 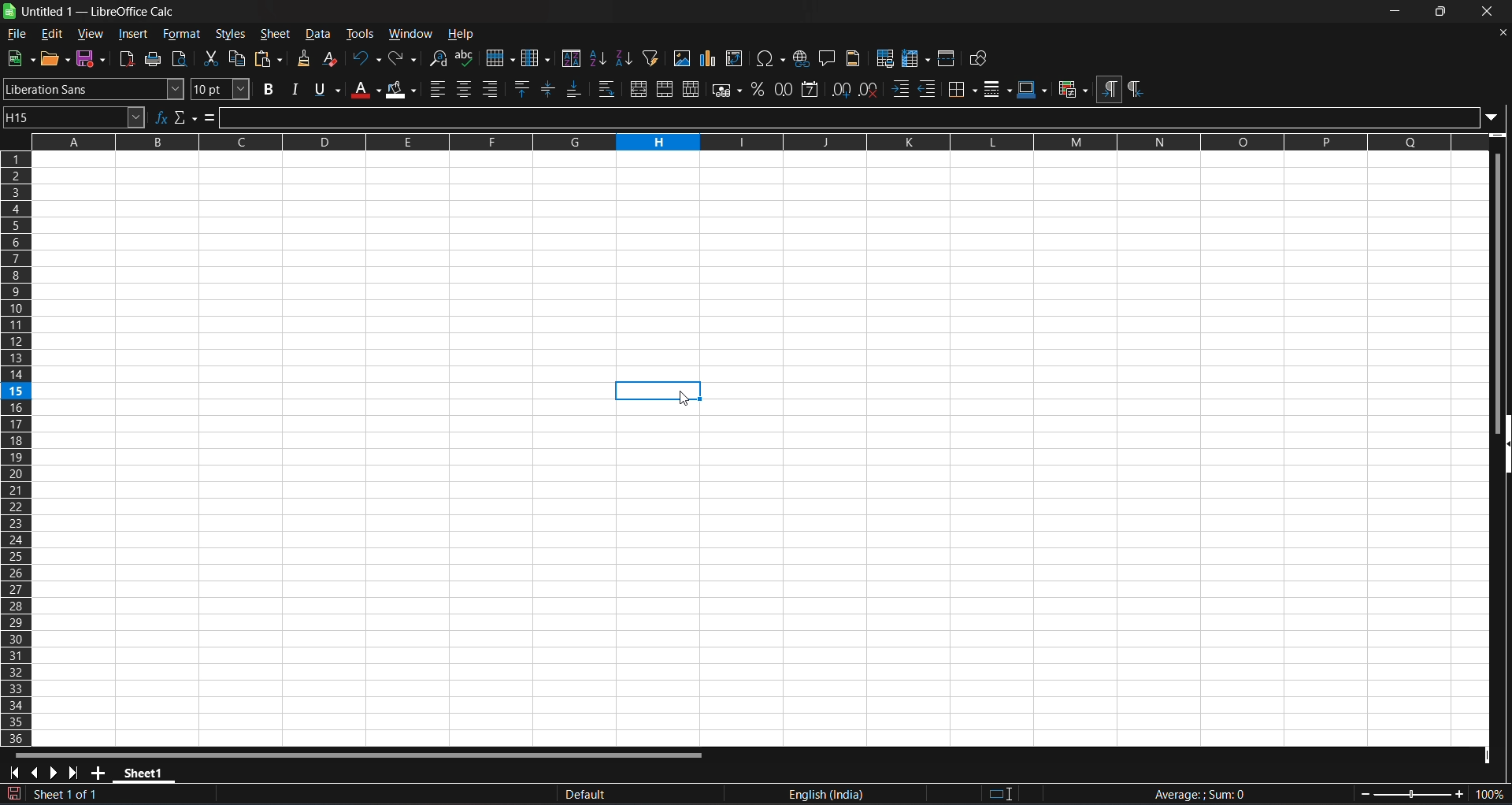 What do you see at coordinates (1400, 13) in the screenshot?
I see `minimize` at bounding box center [1400, 13].